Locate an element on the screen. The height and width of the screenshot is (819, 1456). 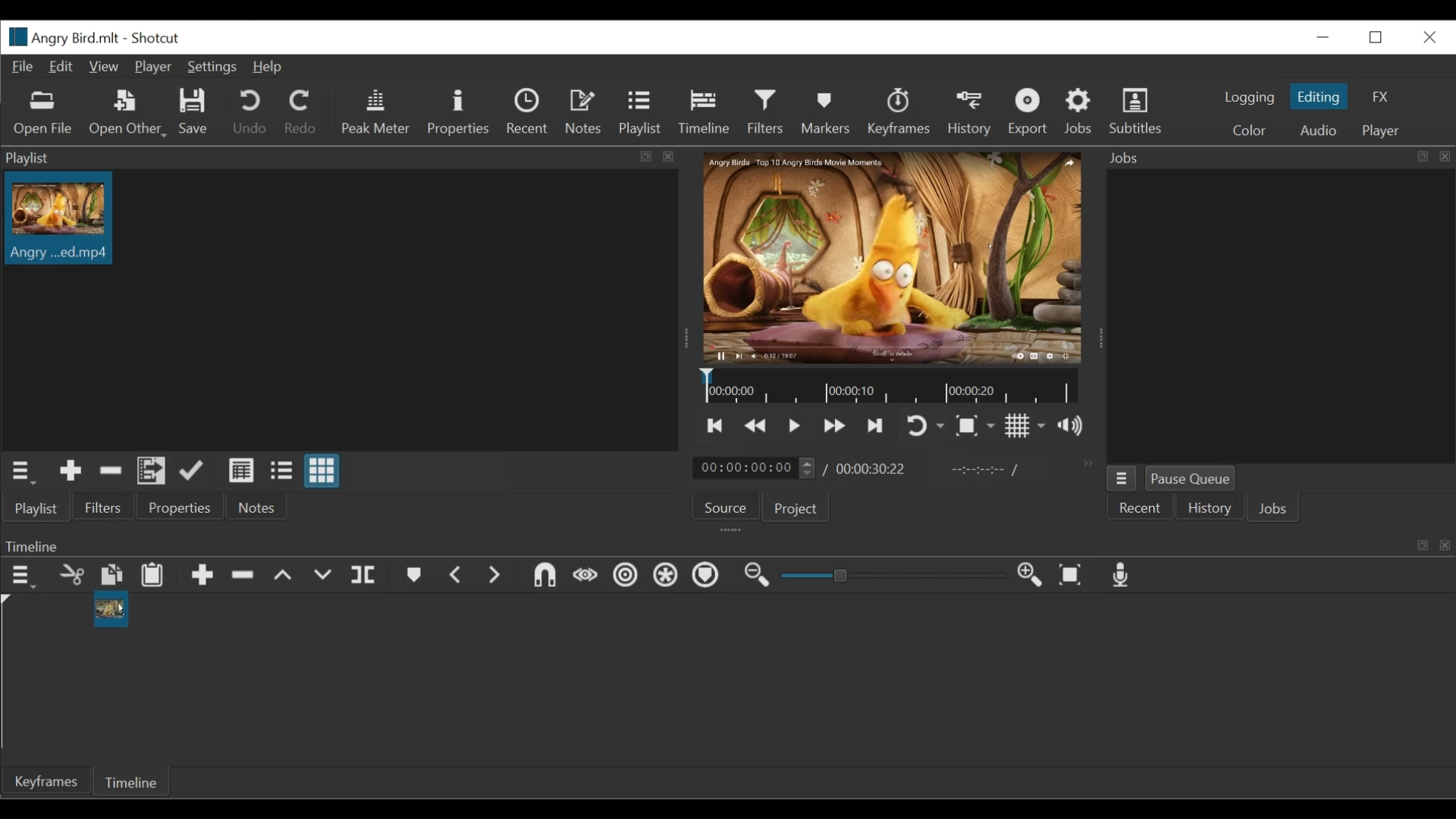
Player is located at coordinates (152, 67).